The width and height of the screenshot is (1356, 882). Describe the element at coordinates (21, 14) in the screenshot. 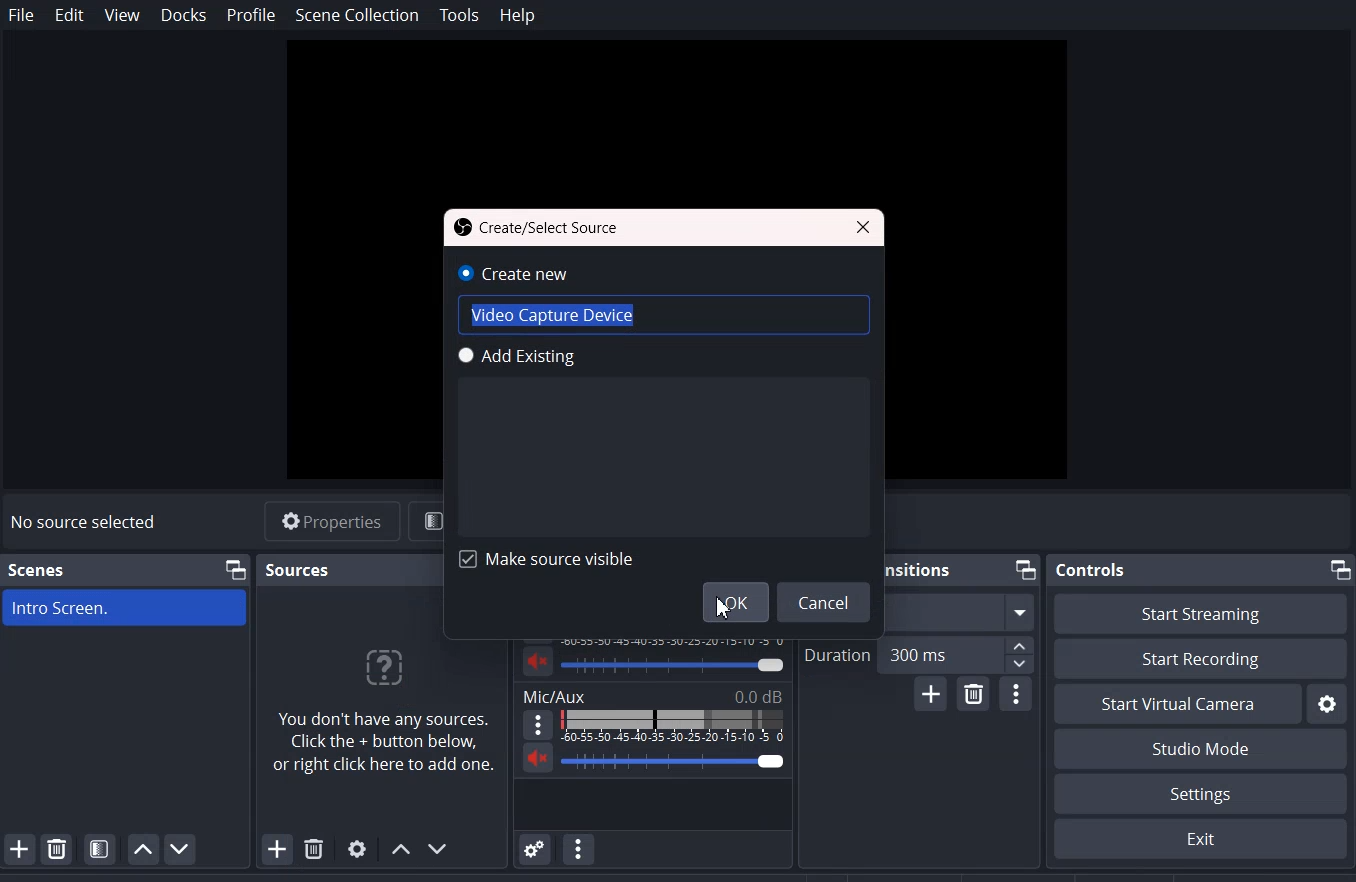

I see `File` at that location.